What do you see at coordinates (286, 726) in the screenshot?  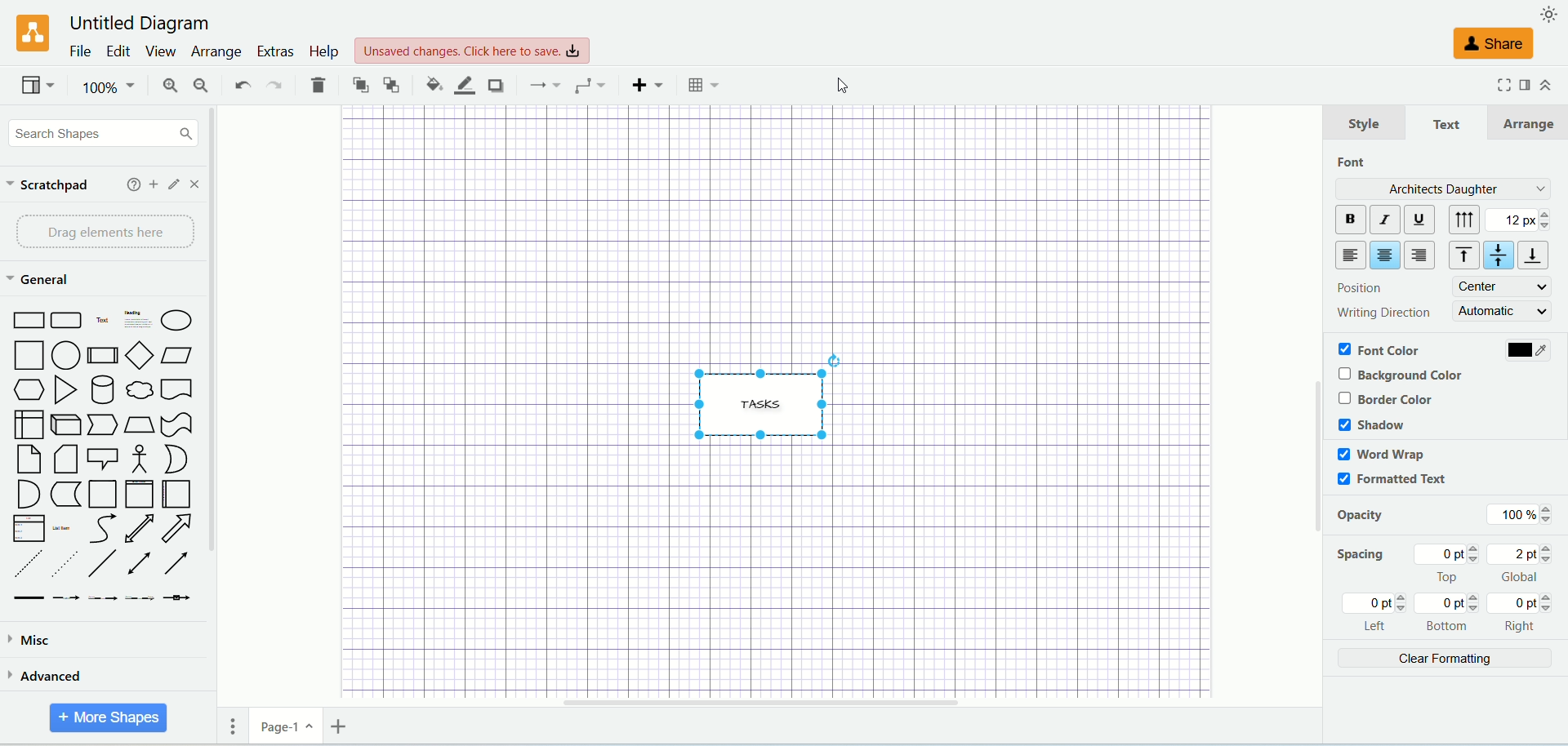 I see `page 1` at bounding box center [286, 726].